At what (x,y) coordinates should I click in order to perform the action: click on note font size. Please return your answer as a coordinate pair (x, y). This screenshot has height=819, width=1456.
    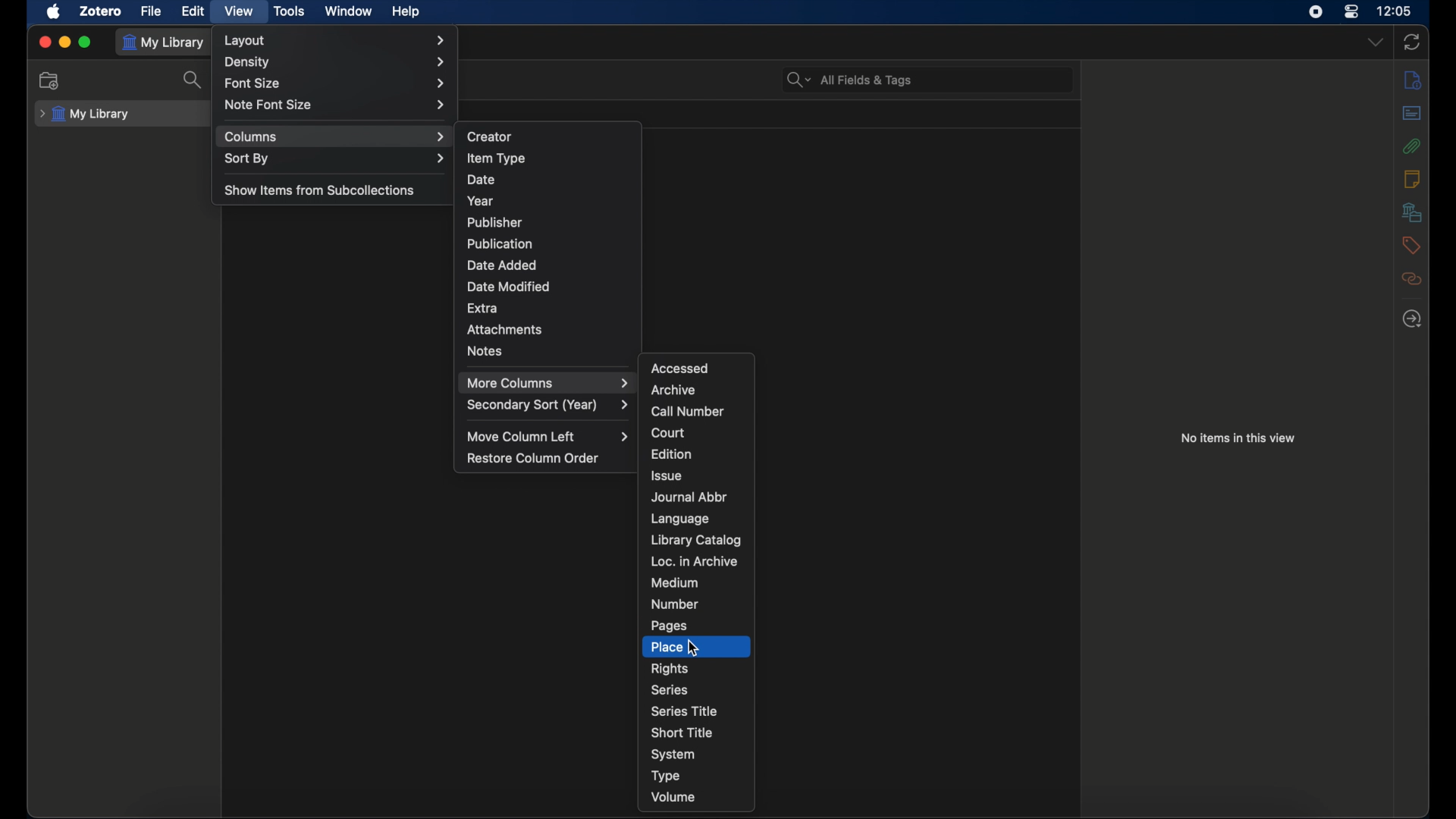
    Looking at the image, I should click on (335, 104).